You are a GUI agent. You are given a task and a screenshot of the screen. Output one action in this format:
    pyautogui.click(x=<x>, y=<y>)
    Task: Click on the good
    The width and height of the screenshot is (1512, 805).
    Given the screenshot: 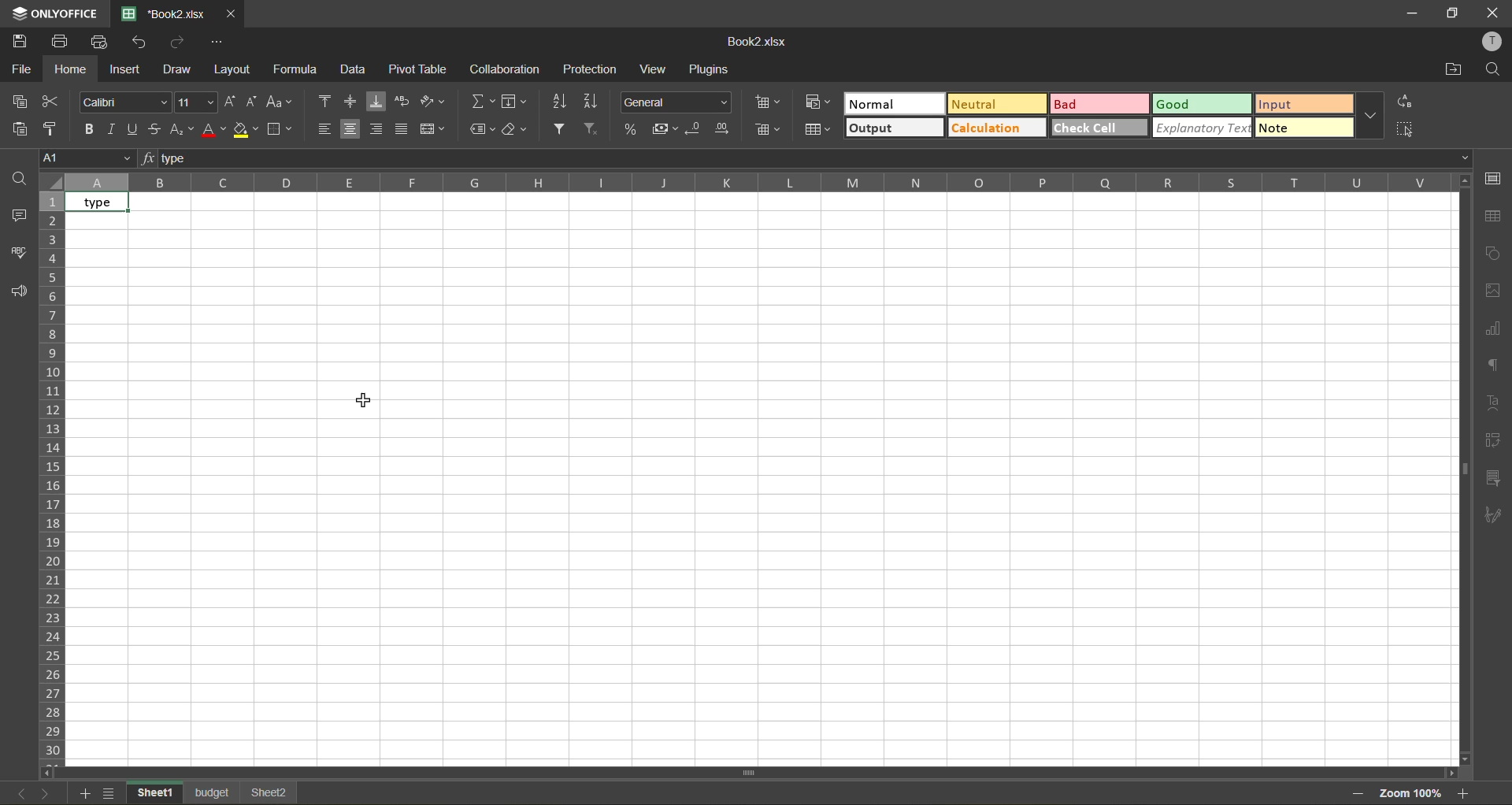 What is the action you would take?
    pyautogui.click(x=1206, y=106)
    